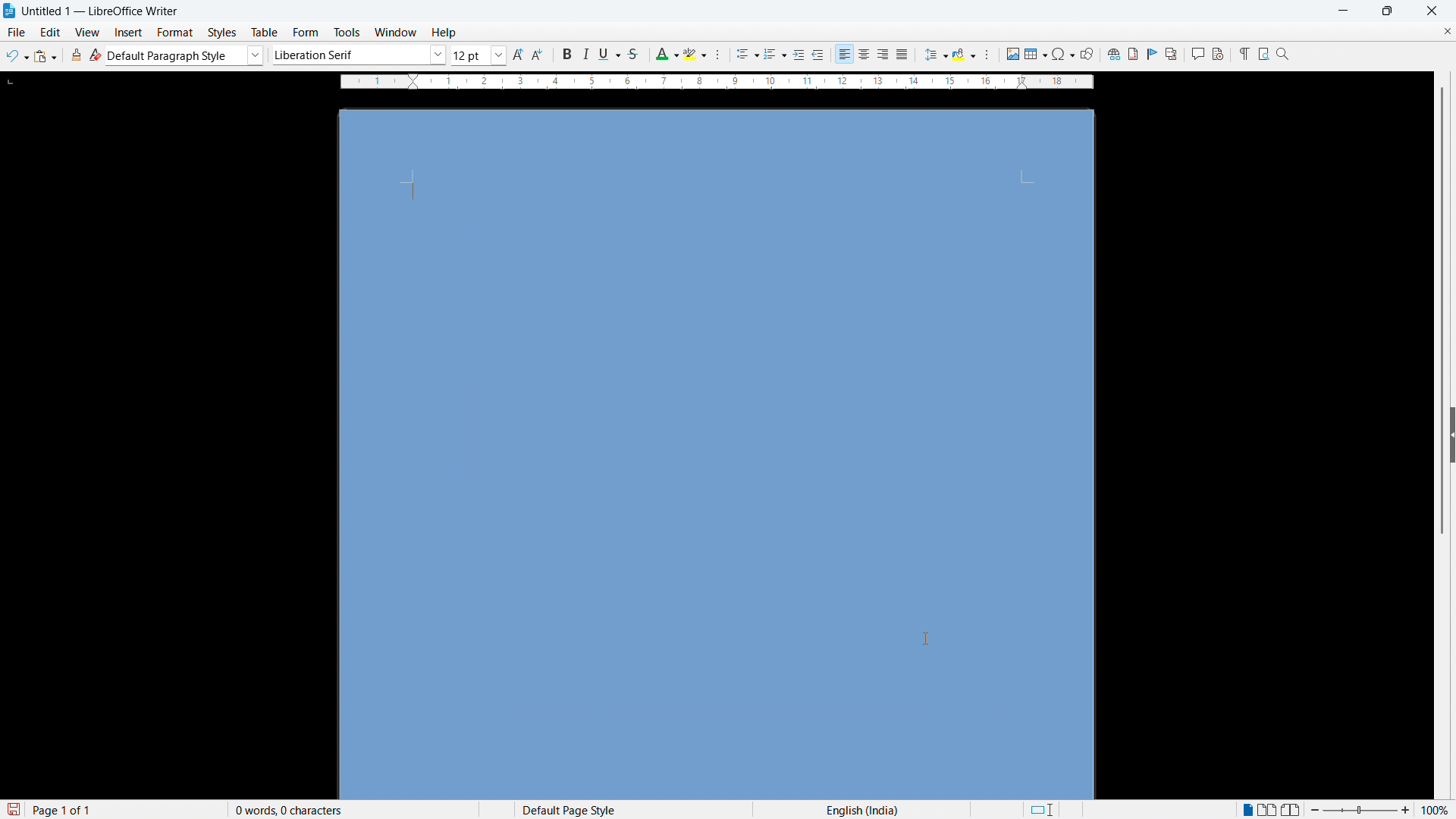 This screenshot has height=819, width=1456. I want to click on Zoom percentage , so click(1437, 809).